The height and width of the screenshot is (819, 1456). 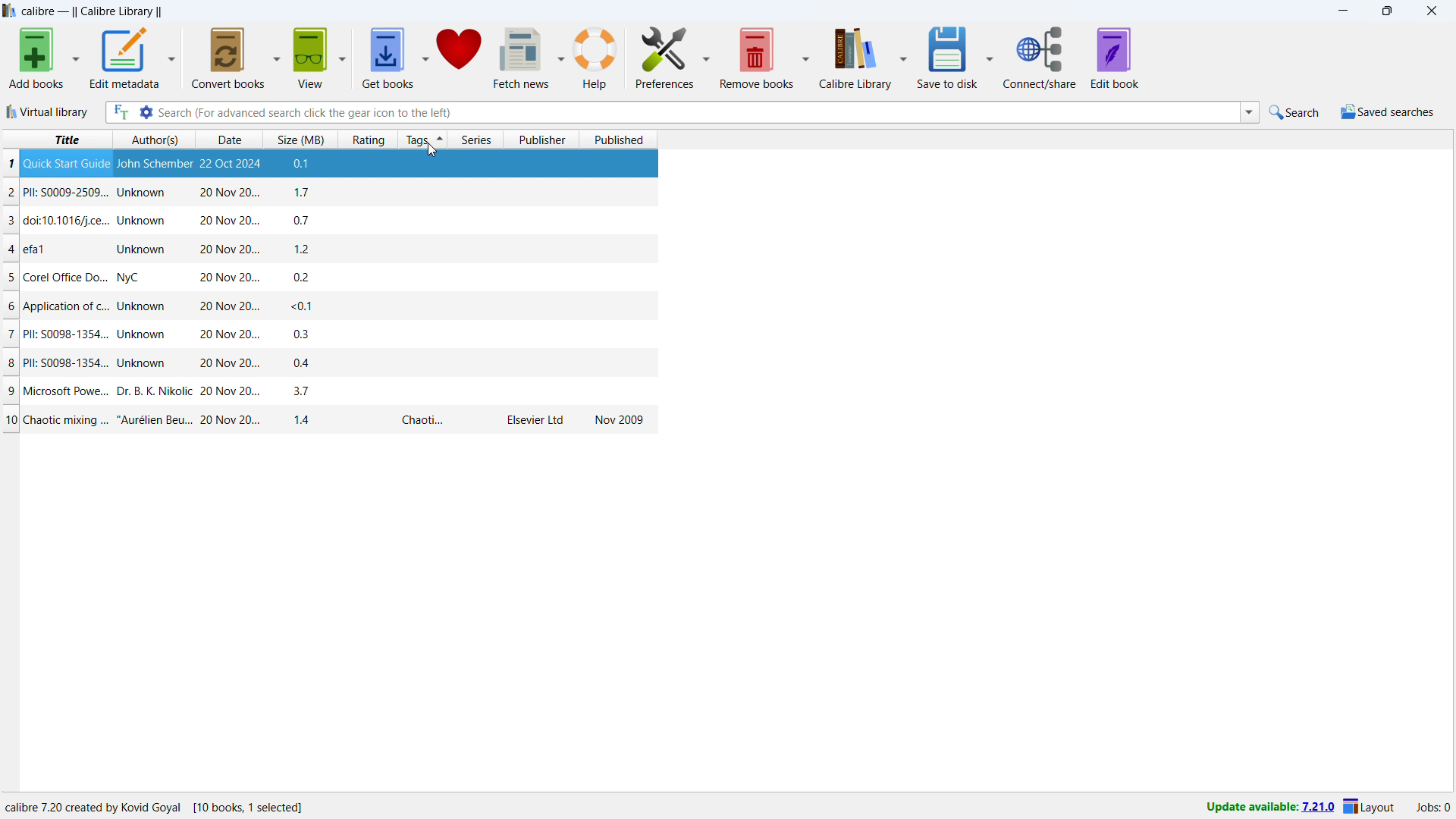 I want to click on software program information, so click(x=162, y=807).